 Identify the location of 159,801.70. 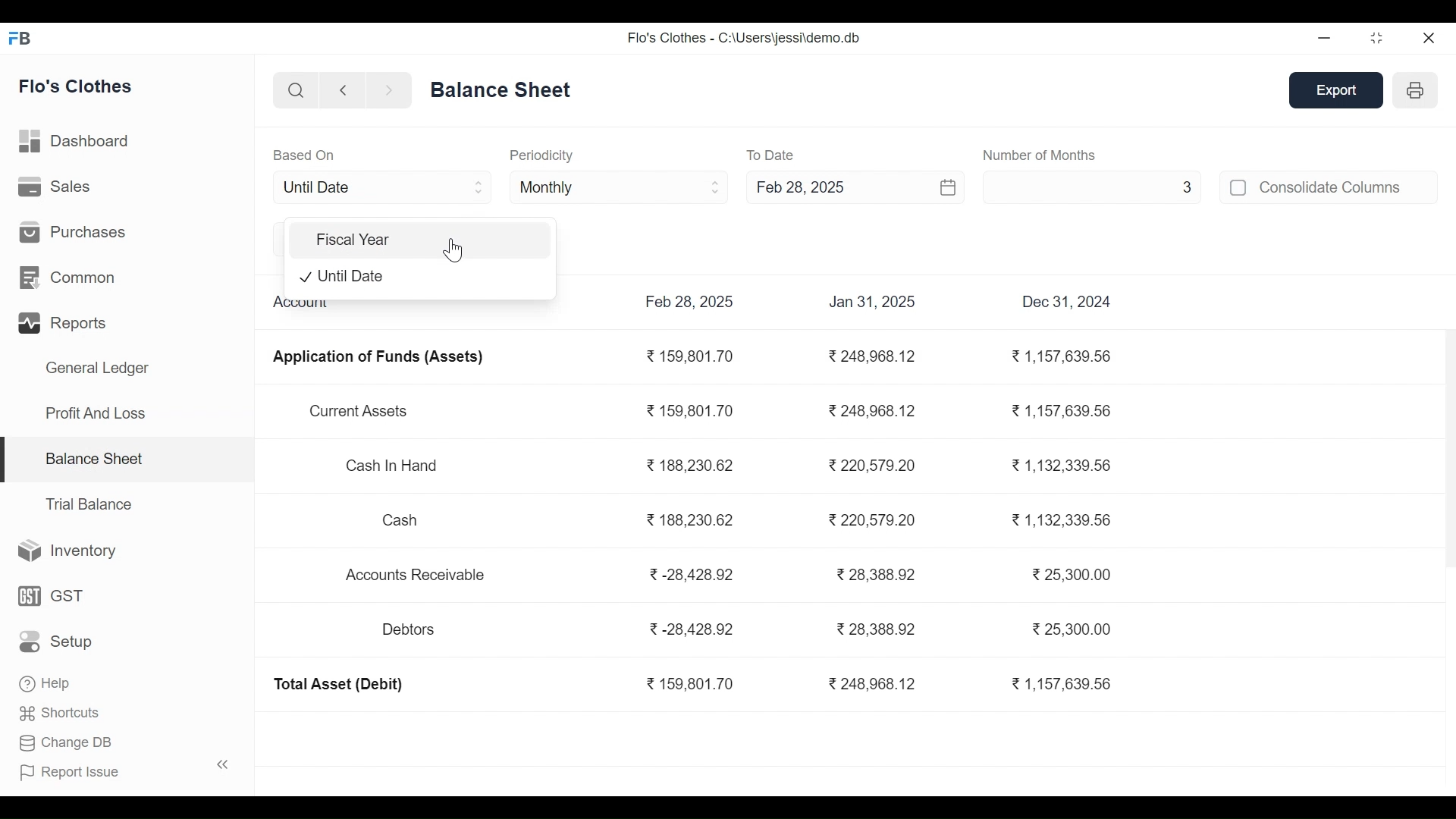
(690, 685).